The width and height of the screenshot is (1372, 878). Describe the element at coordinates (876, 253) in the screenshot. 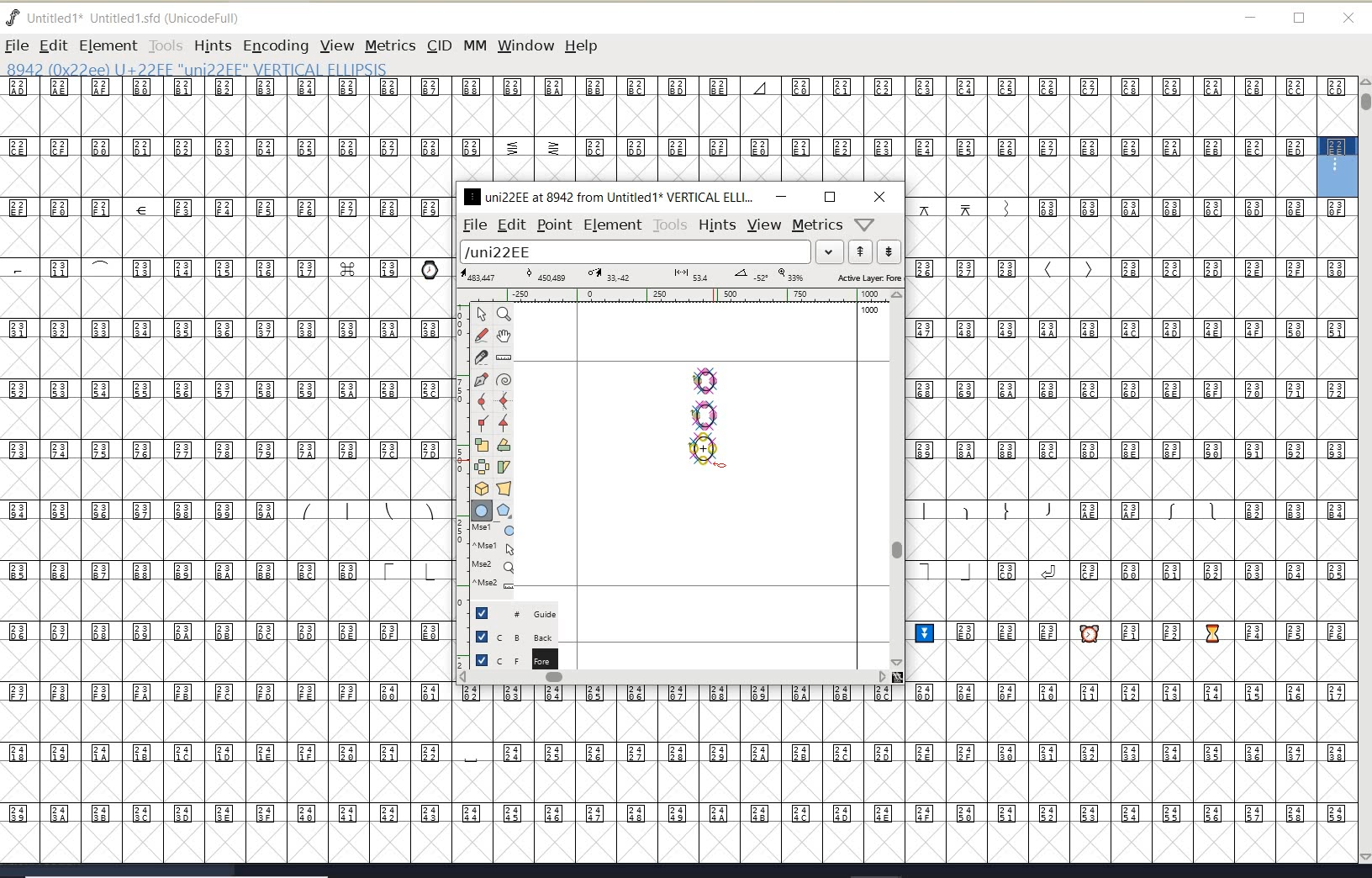

I see `show previous/next word list` at that location.